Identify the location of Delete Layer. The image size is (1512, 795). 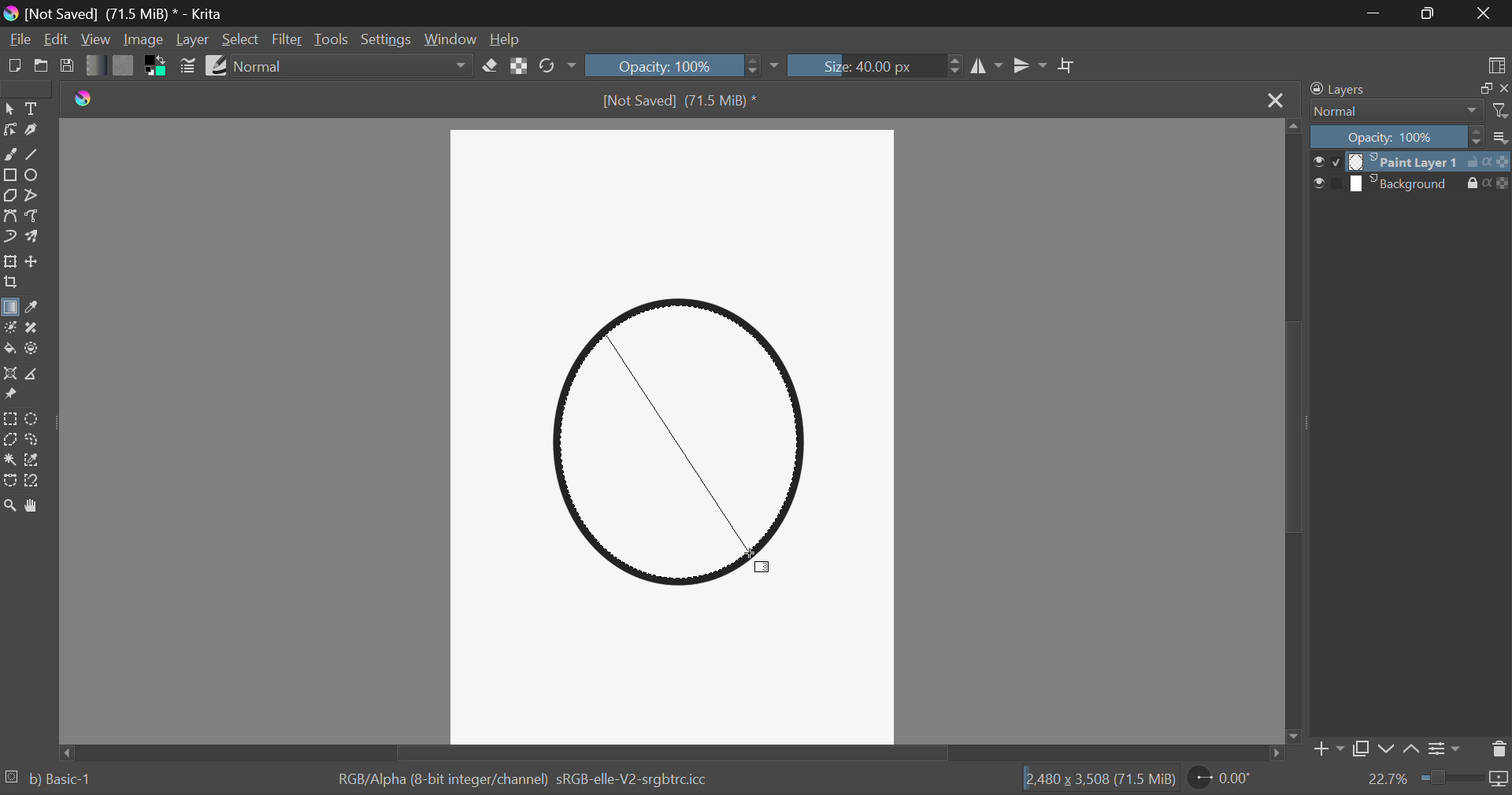
(1499, 752).